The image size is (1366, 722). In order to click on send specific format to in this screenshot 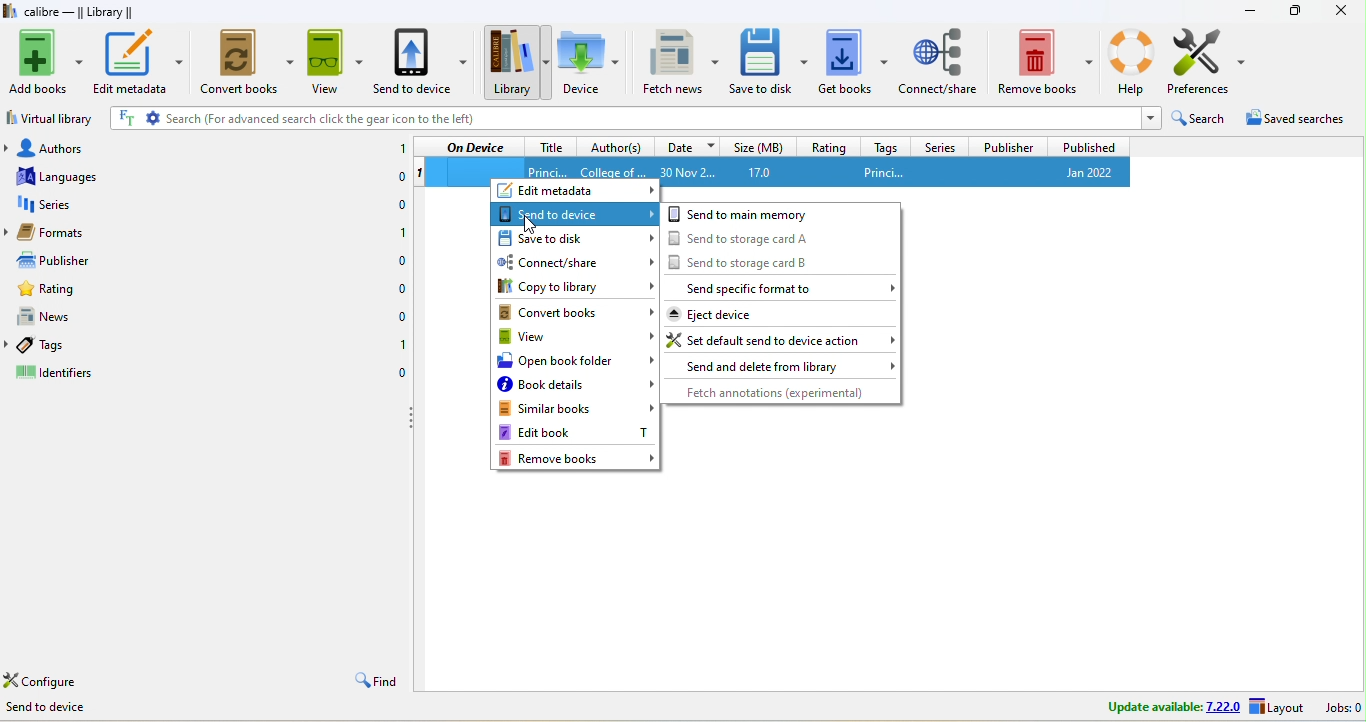, I will do `click(781, 287)`.